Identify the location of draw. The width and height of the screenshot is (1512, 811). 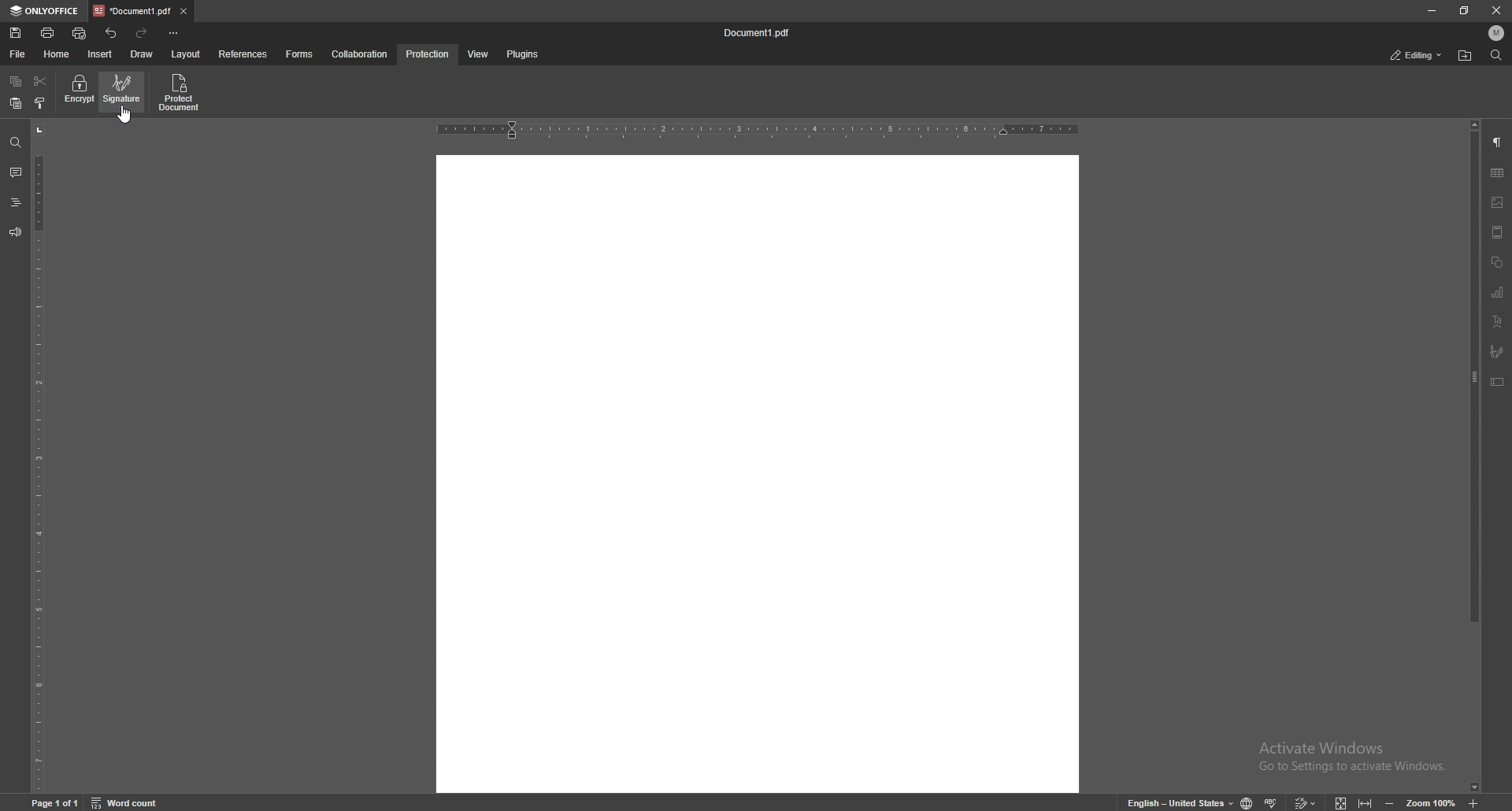
(142, 54).